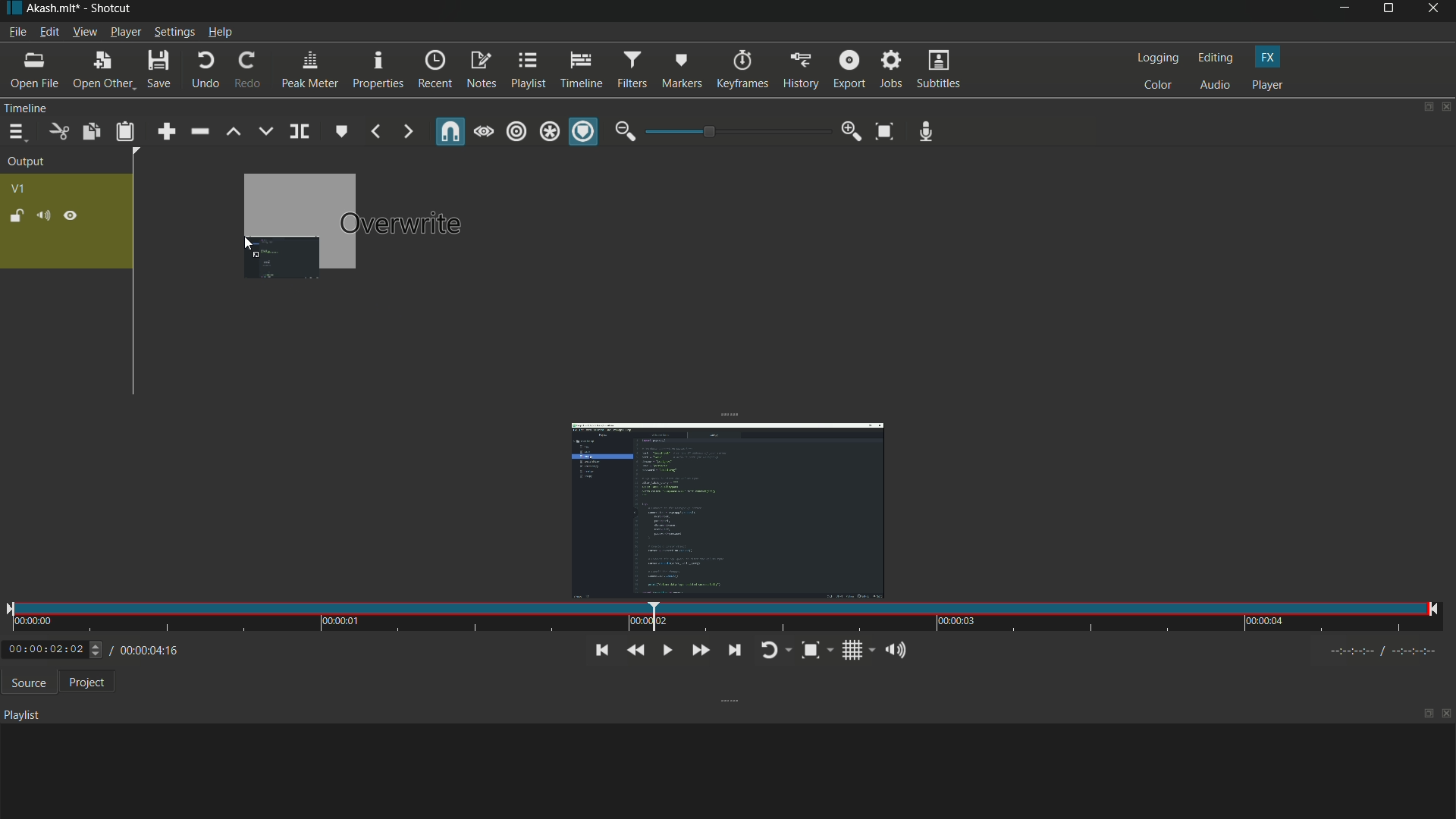 The width and height of the screenshot is (1456, 819). I want to click on subtitles, so click(940, 69).